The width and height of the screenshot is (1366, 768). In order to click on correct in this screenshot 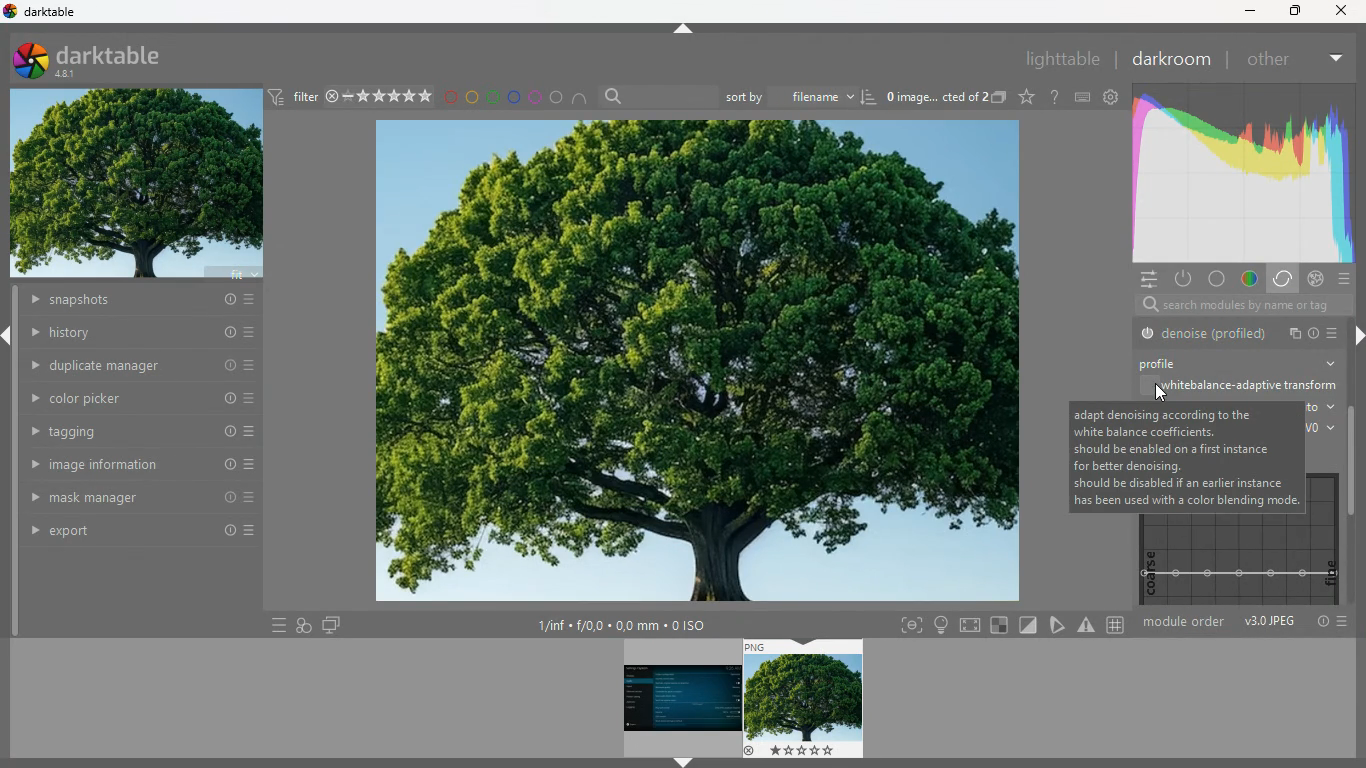, I will do `click(1245, 170)`.